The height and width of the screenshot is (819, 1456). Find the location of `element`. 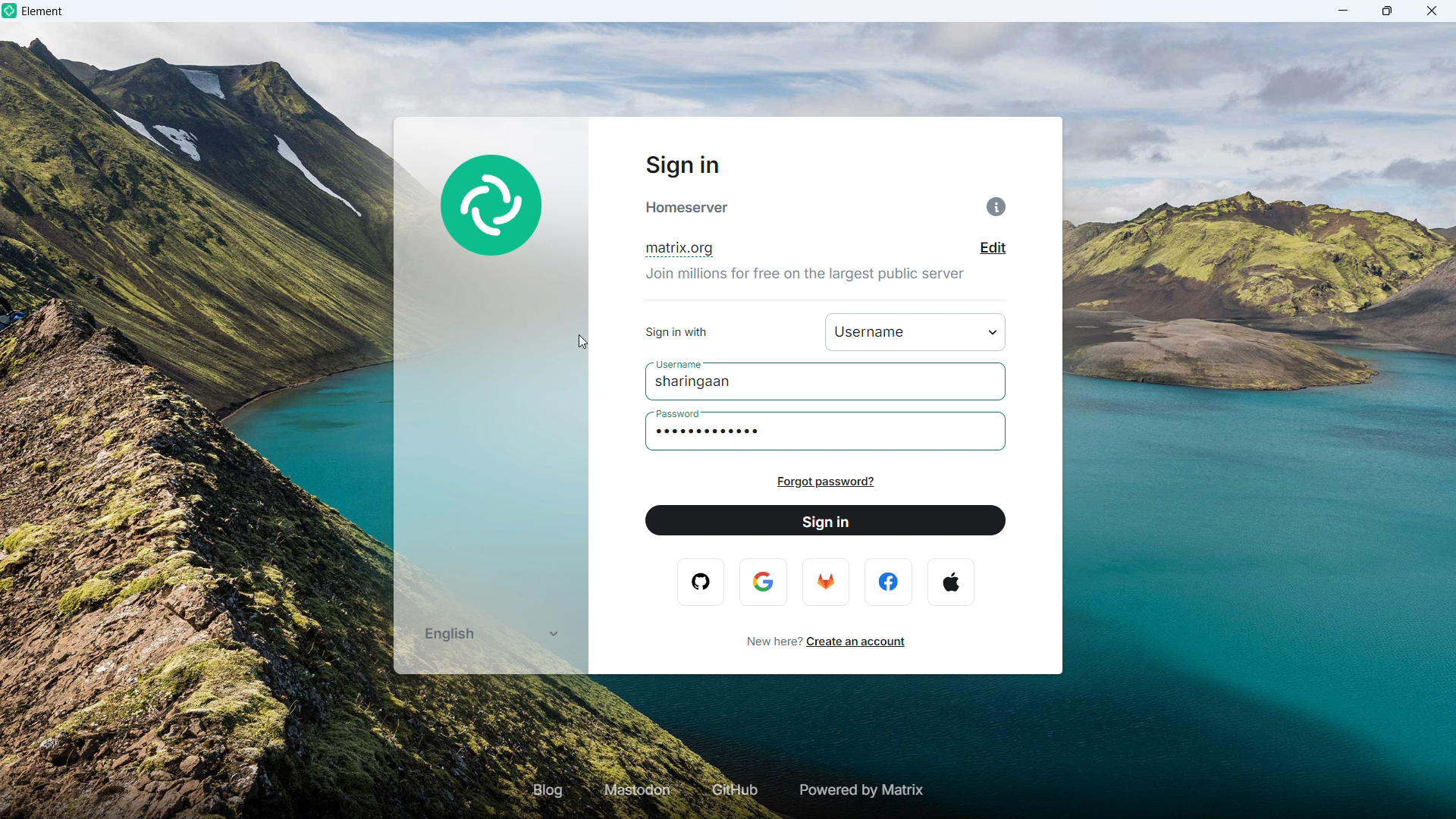

element is located at coordinates (43, 13).